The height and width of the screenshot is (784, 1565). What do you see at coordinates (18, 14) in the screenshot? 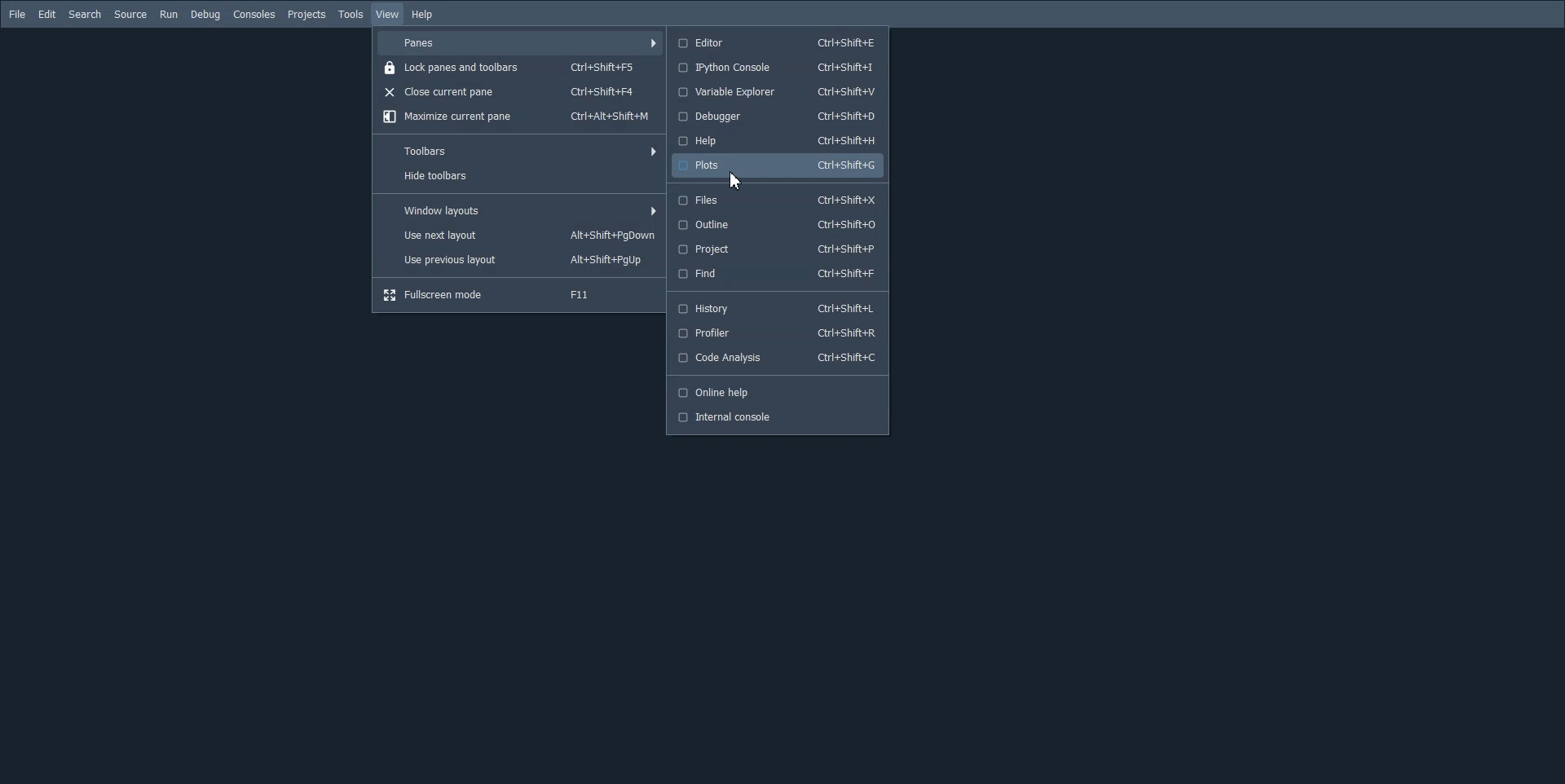
I see `File` at bounding box center [18, 14].